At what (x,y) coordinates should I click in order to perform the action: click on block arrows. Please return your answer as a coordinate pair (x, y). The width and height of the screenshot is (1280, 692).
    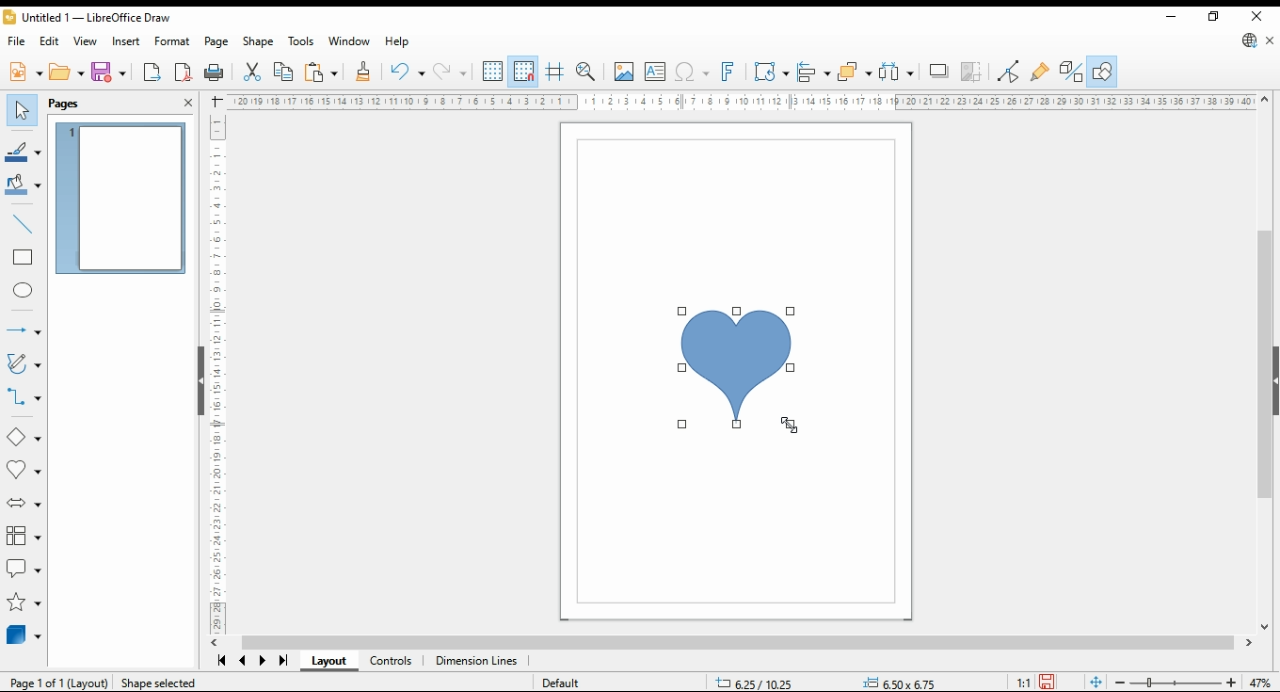
    Looking at the image, I should click on (22, 505).